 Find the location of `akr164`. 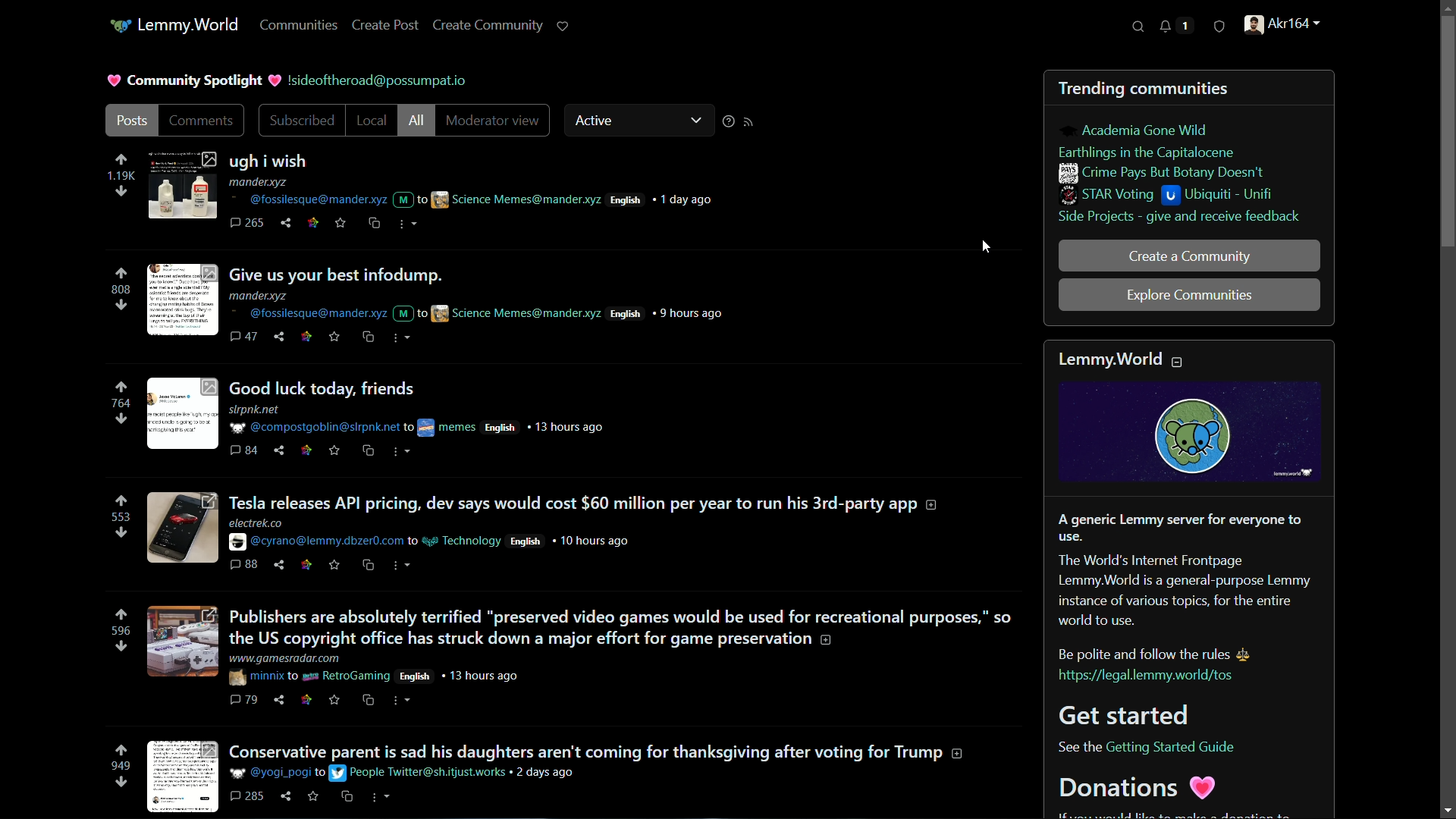

akr164 is located at coordinates (1285, 27).